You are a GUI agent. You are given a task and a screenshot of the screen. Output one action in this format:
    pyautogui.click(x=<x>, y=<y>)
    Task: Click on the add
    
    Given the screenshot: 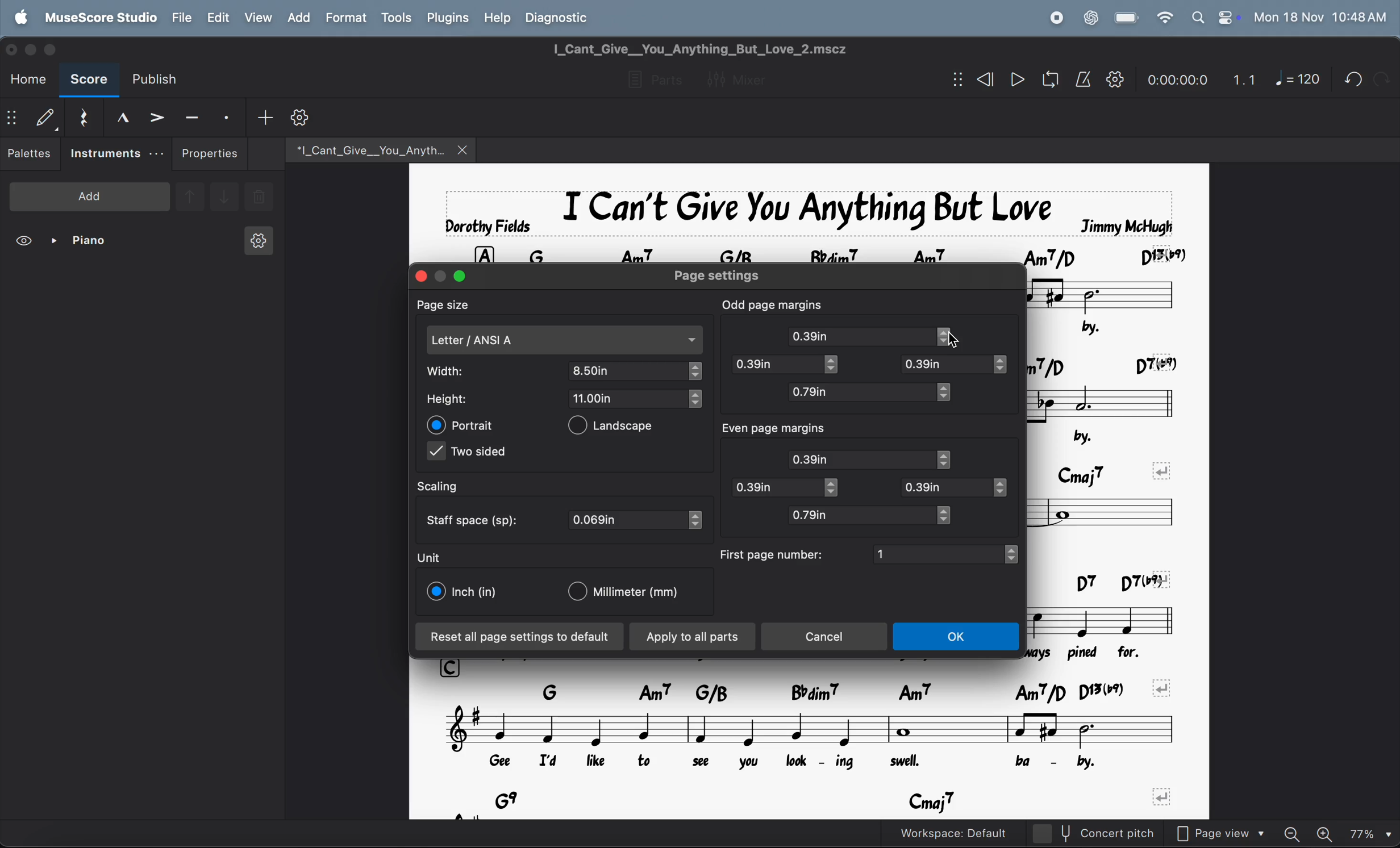 What is the action you would take?
    pyautogui.click(x=265, y=116)
    